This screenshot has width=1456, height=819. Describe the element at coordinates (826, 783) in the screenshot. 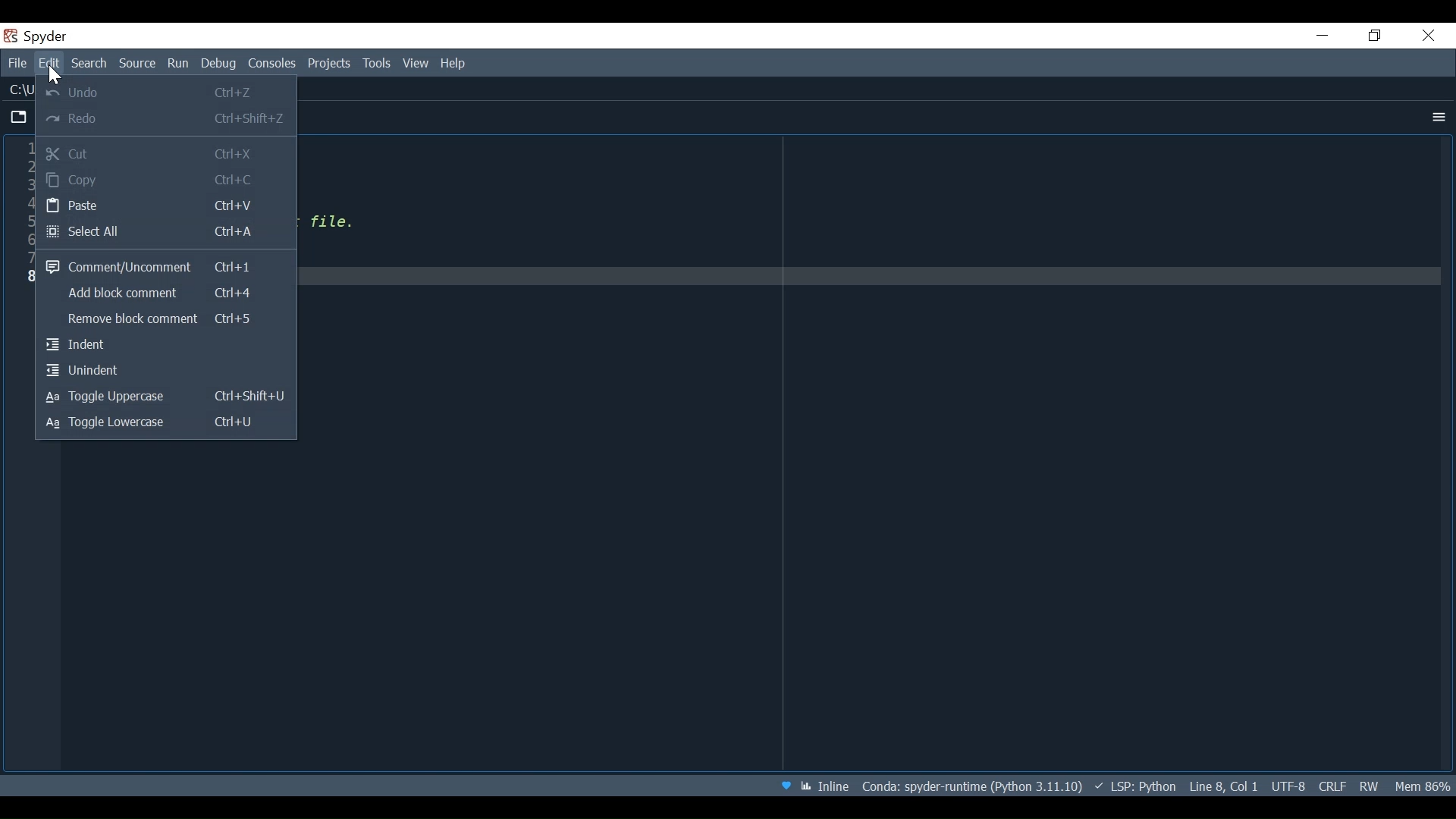

I see `Toggle between inline and interactive Matplotlib plotting` at that location.